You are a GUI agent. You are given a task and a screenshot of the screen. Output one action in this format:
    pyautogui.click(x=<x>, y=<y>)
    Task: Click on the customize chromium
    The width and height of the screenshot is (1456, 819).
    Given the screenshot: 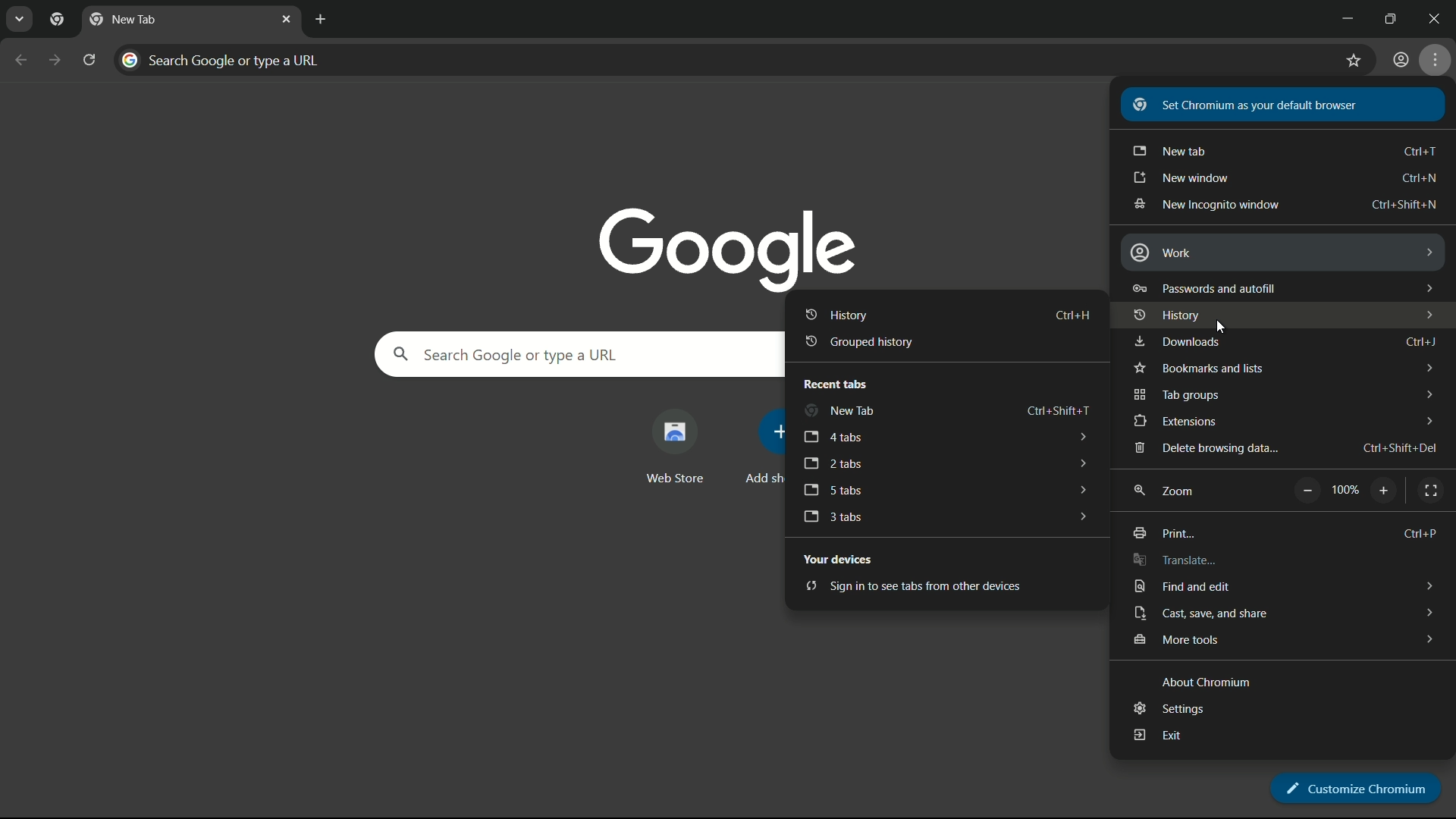 What is the action you would take?
    pyautogui.click(x=1352, y=783)
    